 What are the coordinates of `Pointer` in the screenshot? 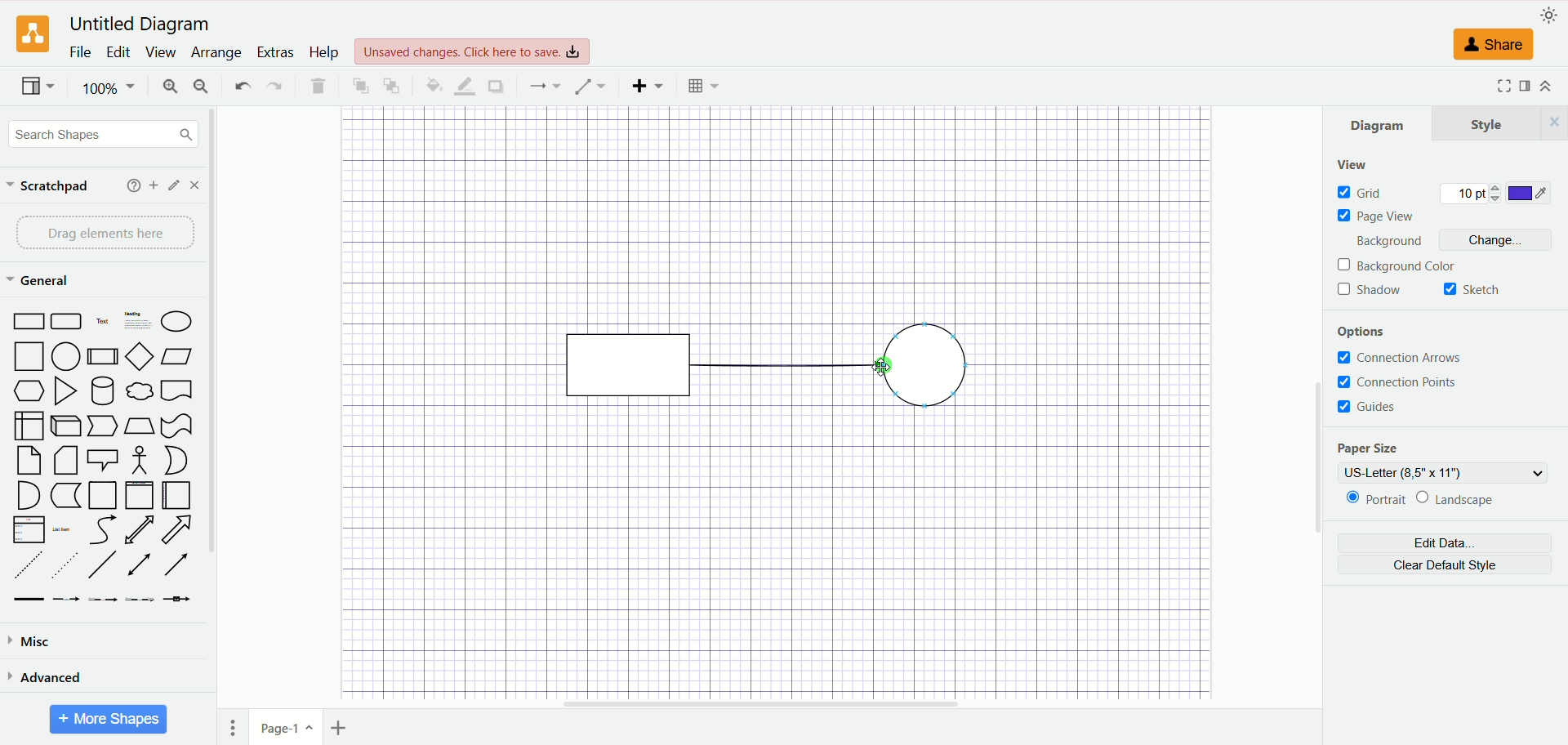 It's located at (104, 426).